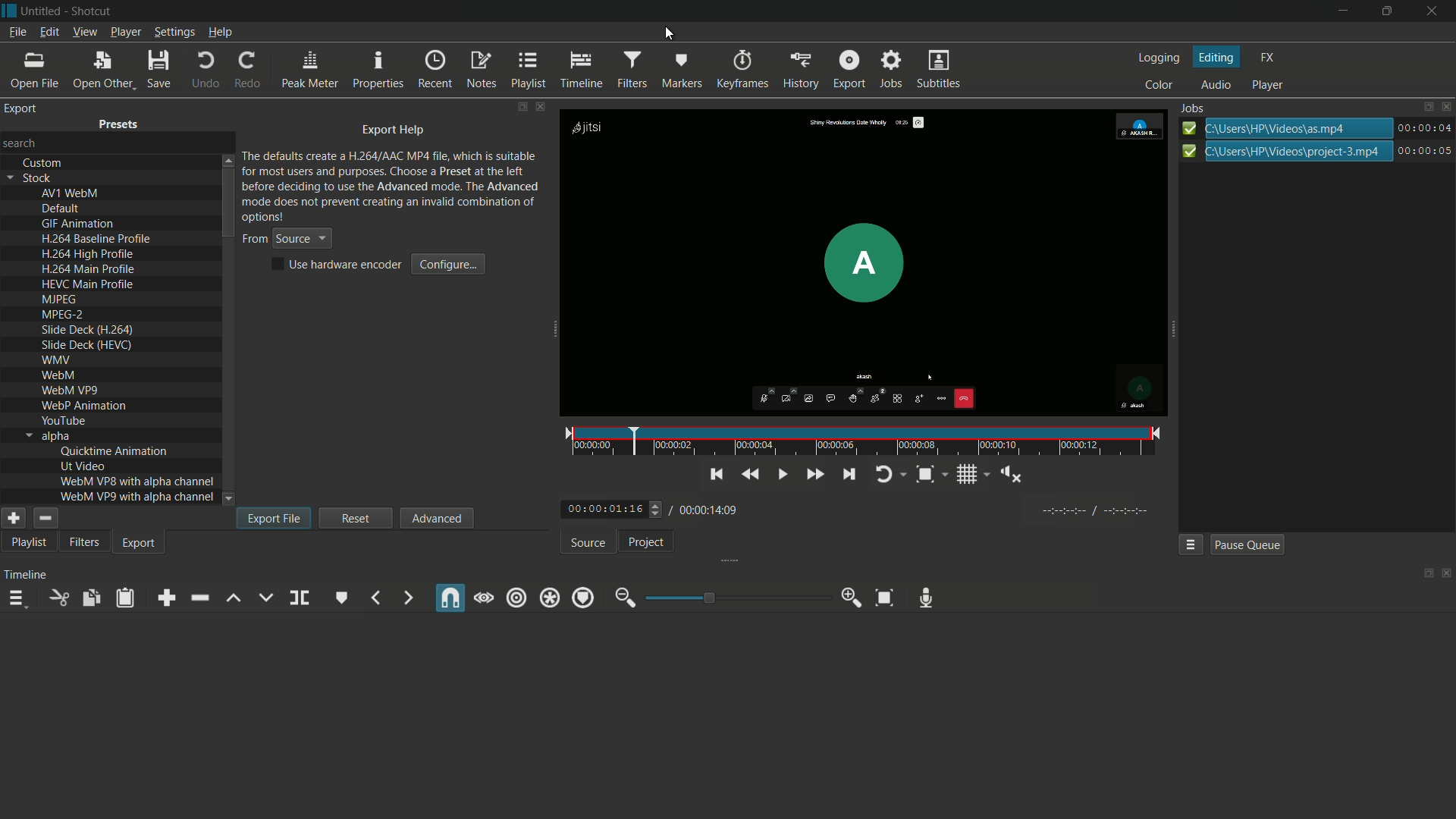 This screenshot has width=1456, height=819. I want to click on zoom out, so click(622, 598).